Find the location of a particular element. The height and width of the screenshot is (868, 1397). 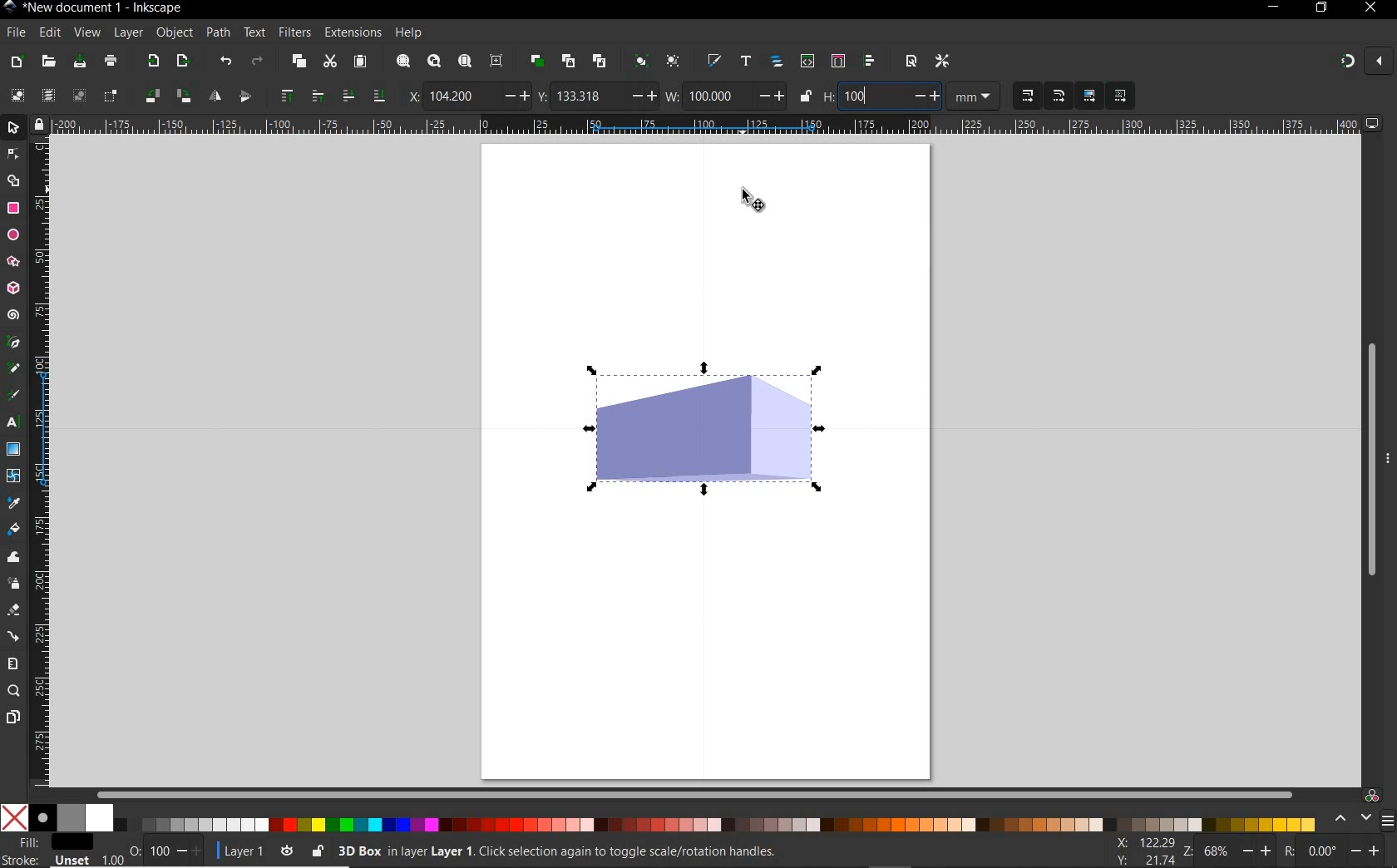

gradient tool is located at coordinates (13, 449).